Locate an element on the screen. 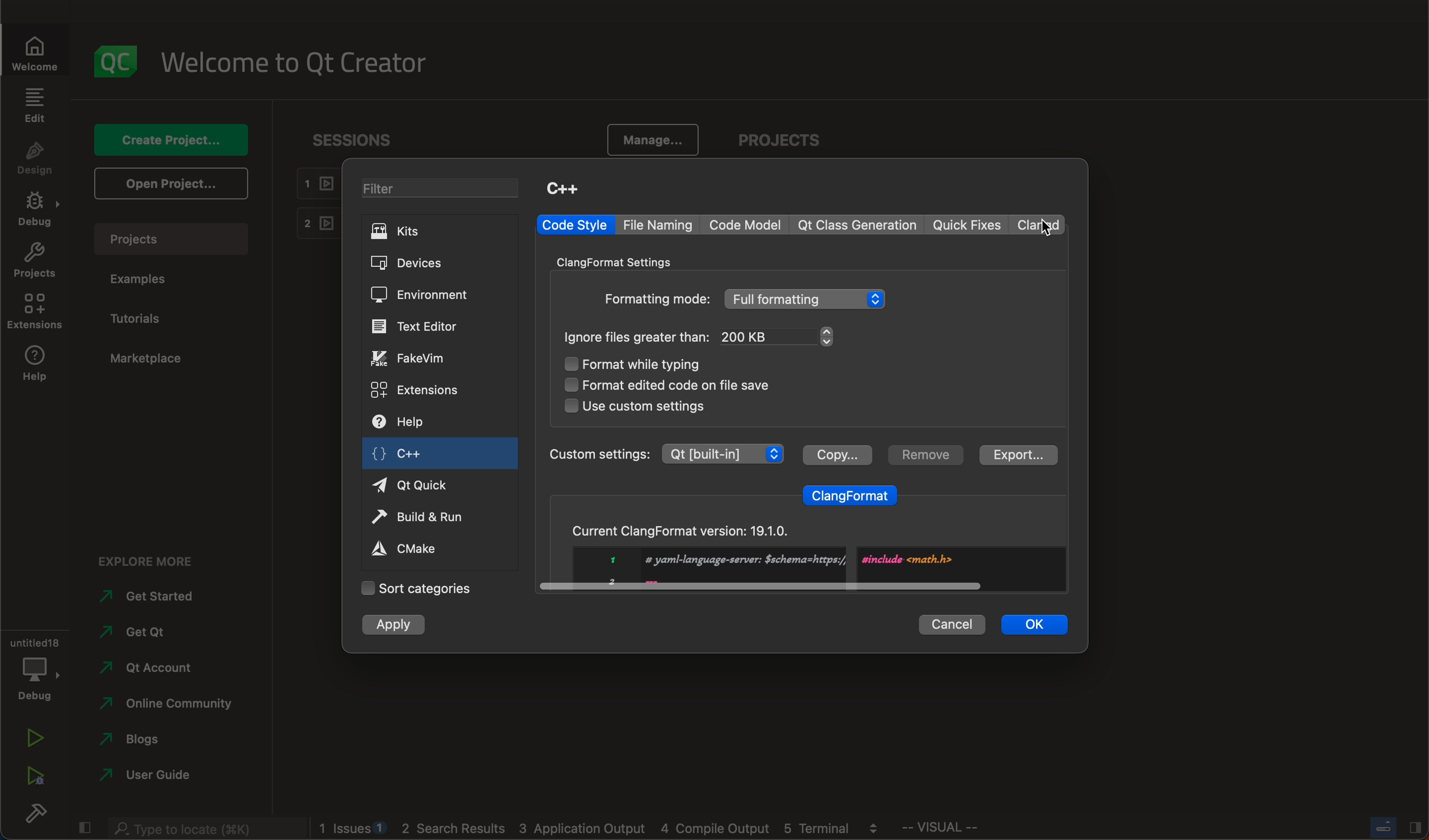  design is located at coordinates (39, 160).